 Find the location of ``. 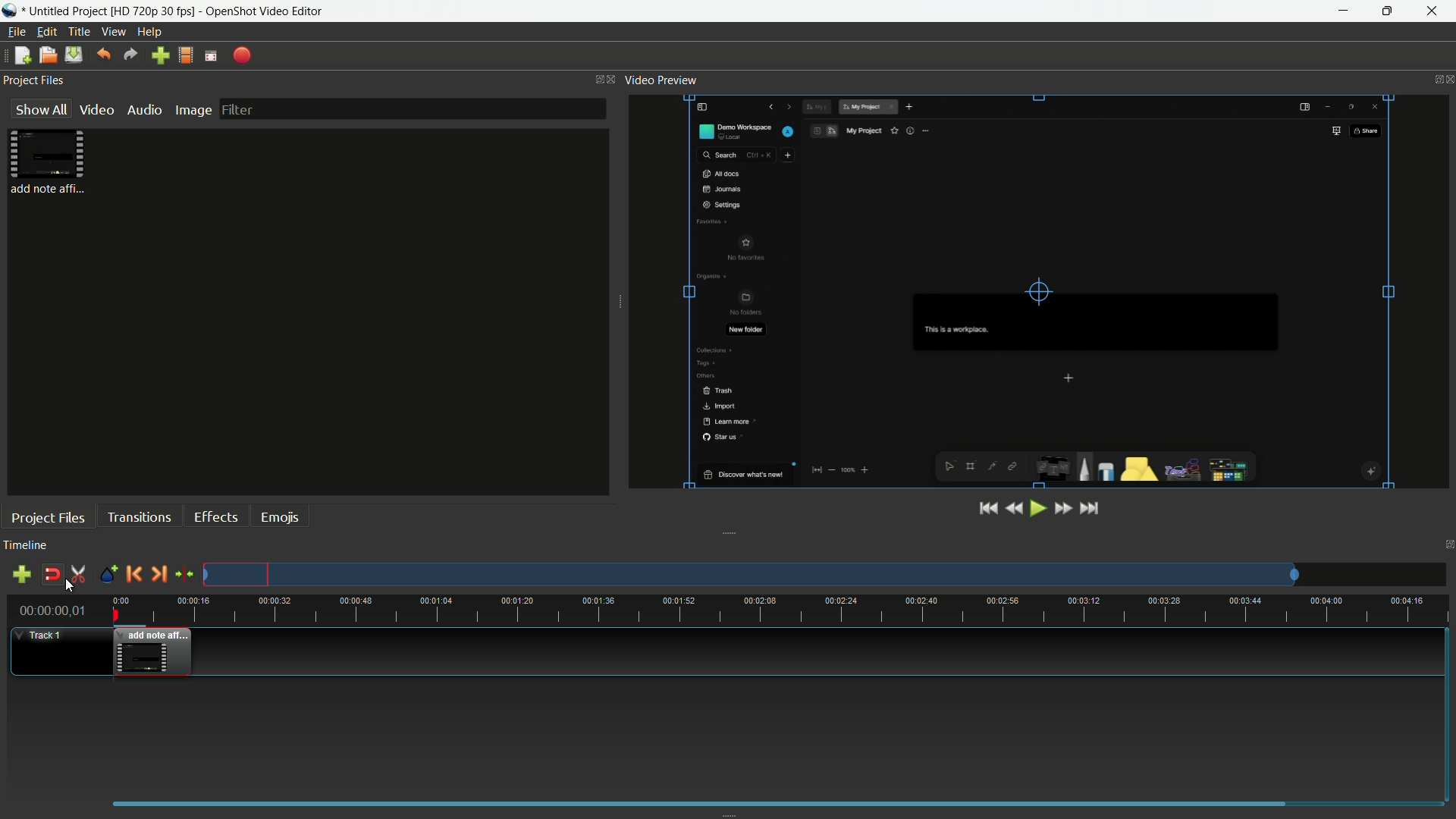

 is located at coordinates (215, 516).